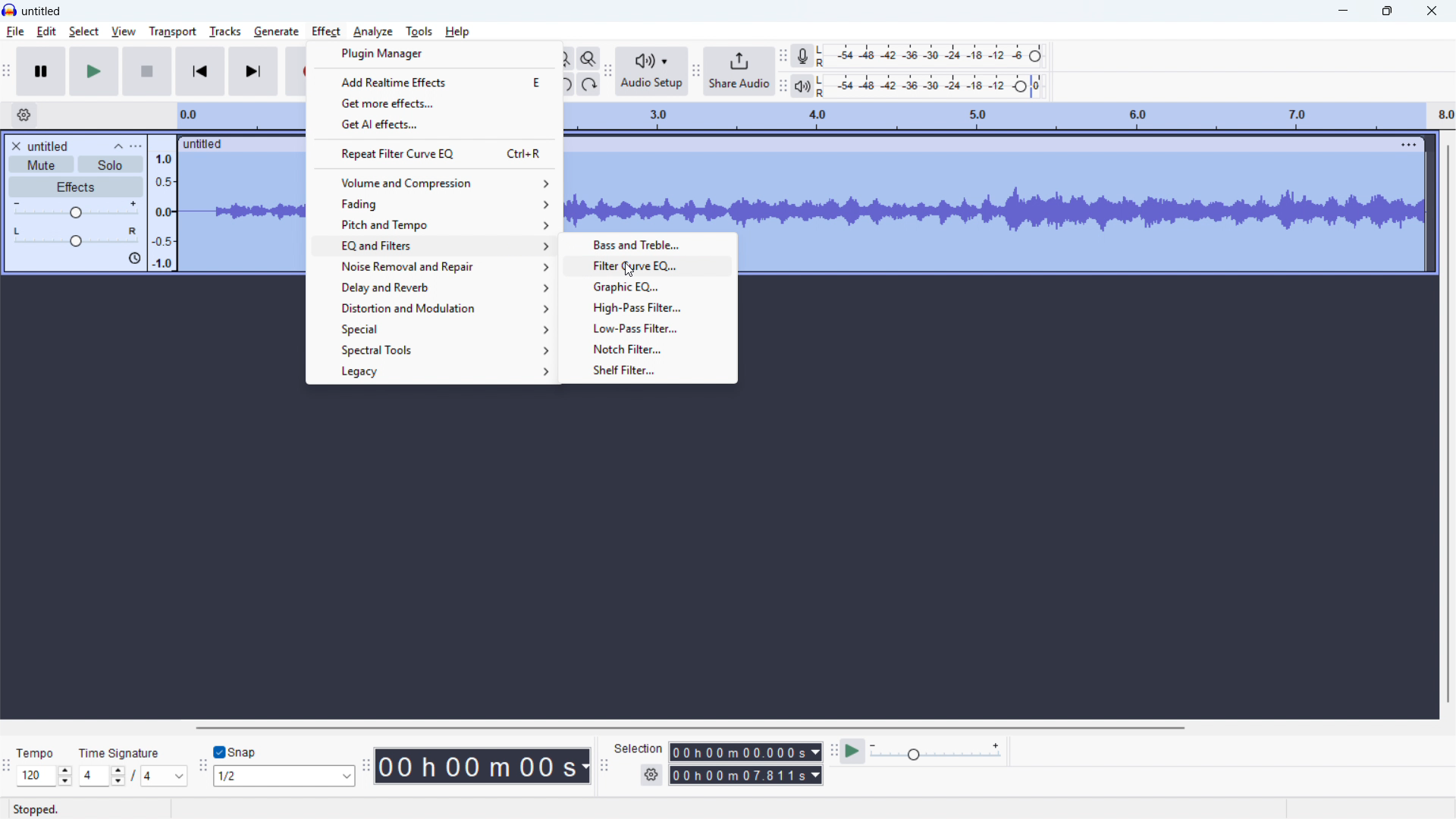 The height and width of the screenshot is (819, 1456). I want to click on Recording metre , so click(803, 56).